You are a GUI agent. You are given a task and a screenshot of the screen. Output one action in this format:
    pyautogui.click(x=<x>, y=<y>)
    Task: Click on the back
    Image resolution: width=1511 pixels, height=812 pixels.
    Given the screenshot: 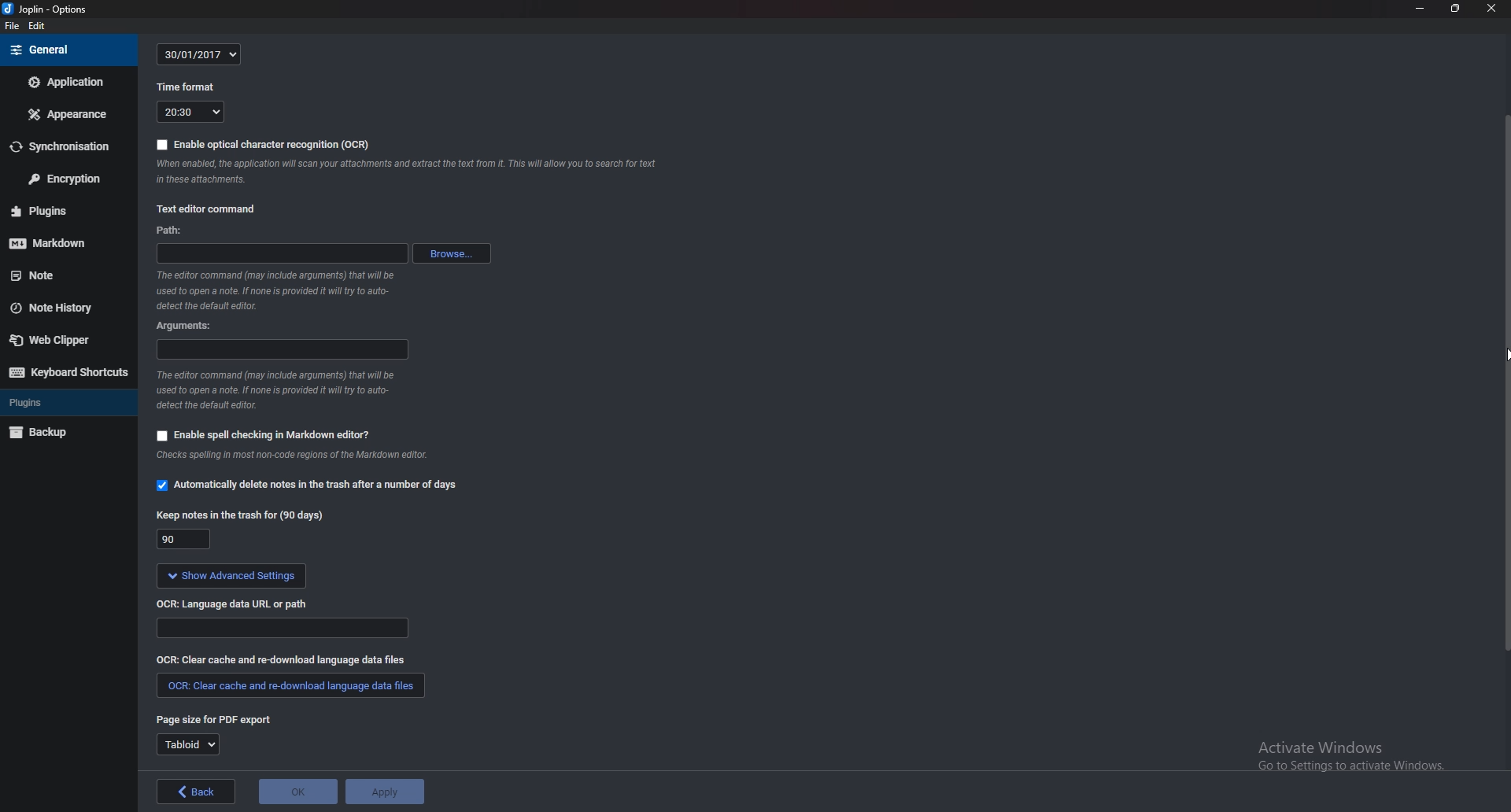 What is the action you would take?
    pyautogui.click(x=196, y=792)
    